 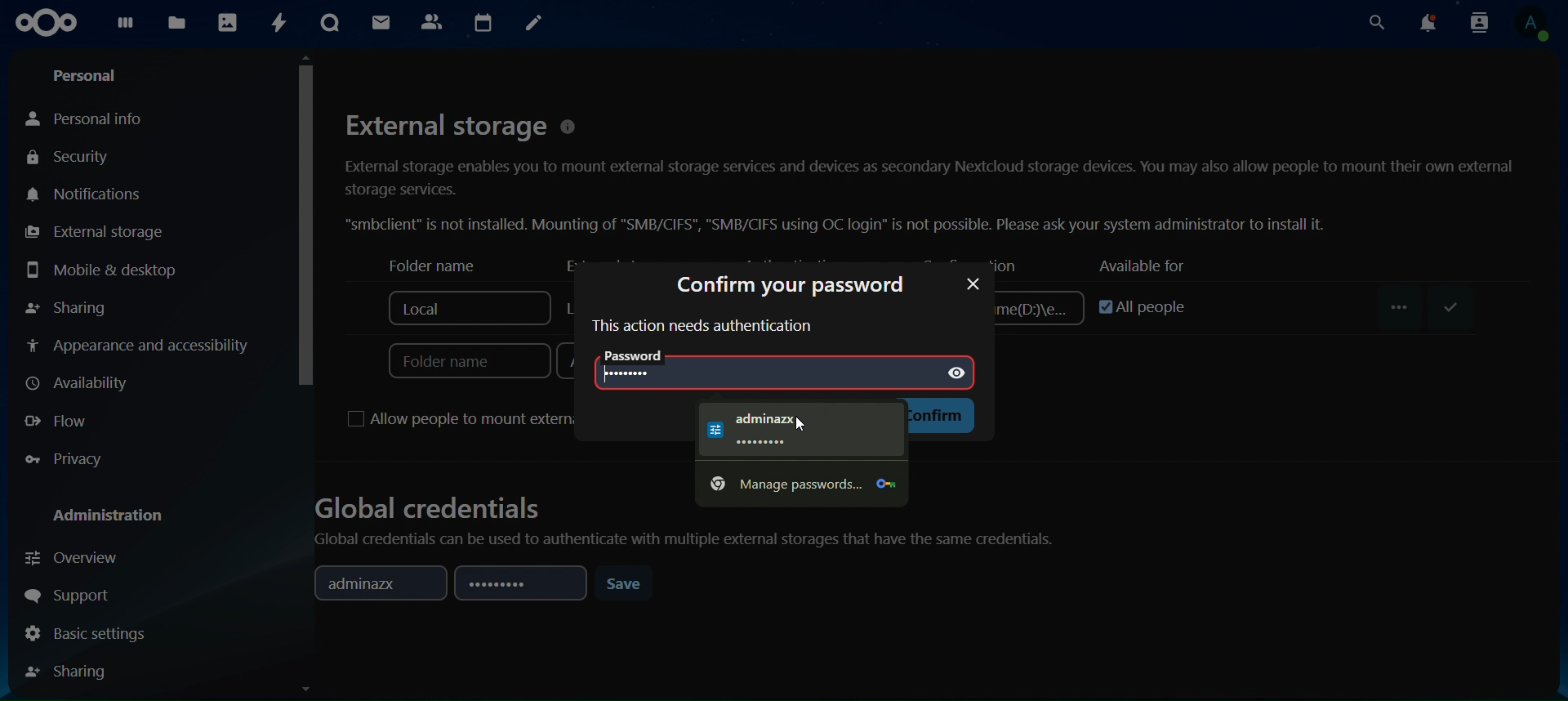 I want to click on administration, so click(x=109, y=517).